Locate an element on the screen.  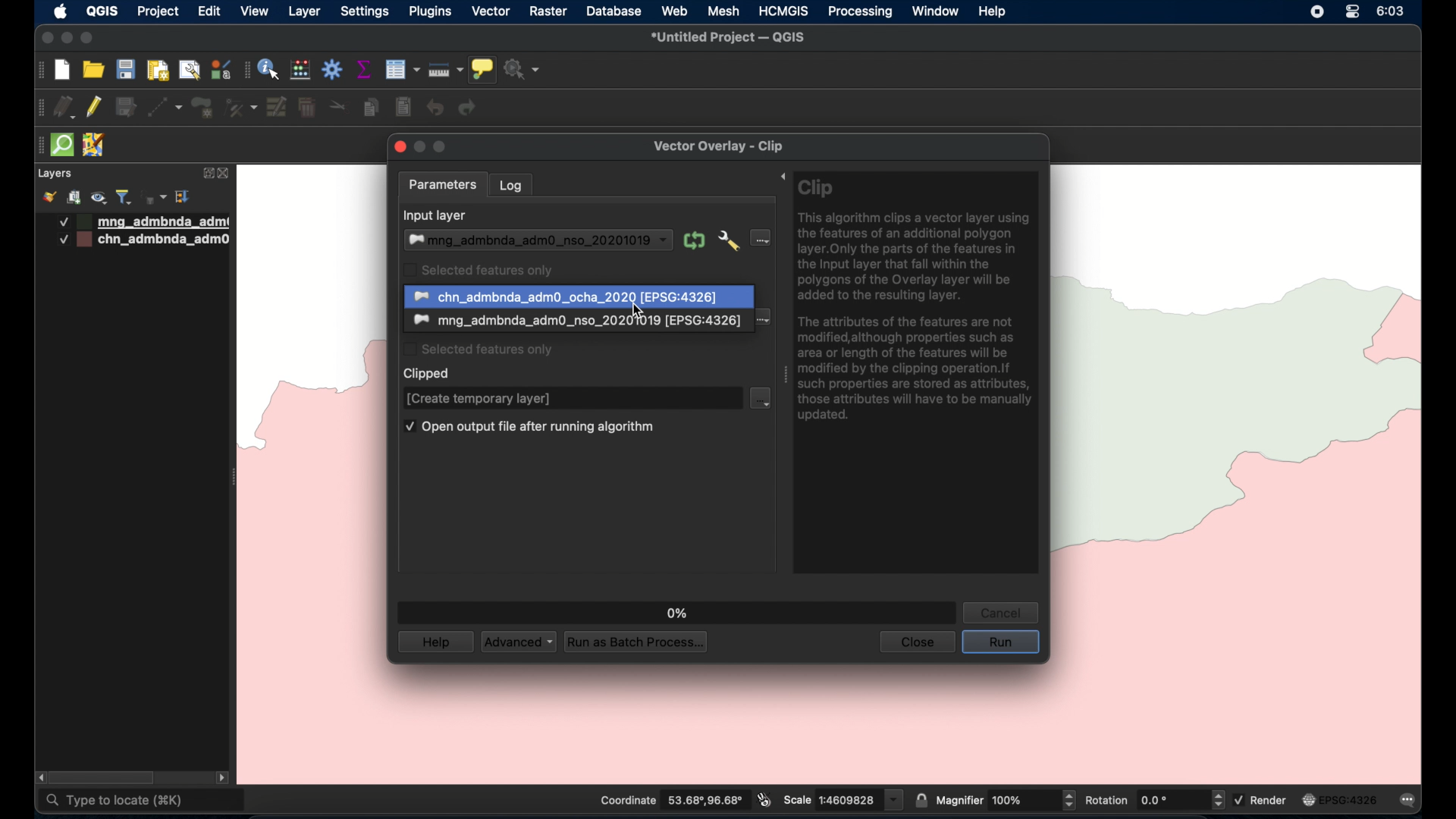
layer is located at coordinates (304, 13).